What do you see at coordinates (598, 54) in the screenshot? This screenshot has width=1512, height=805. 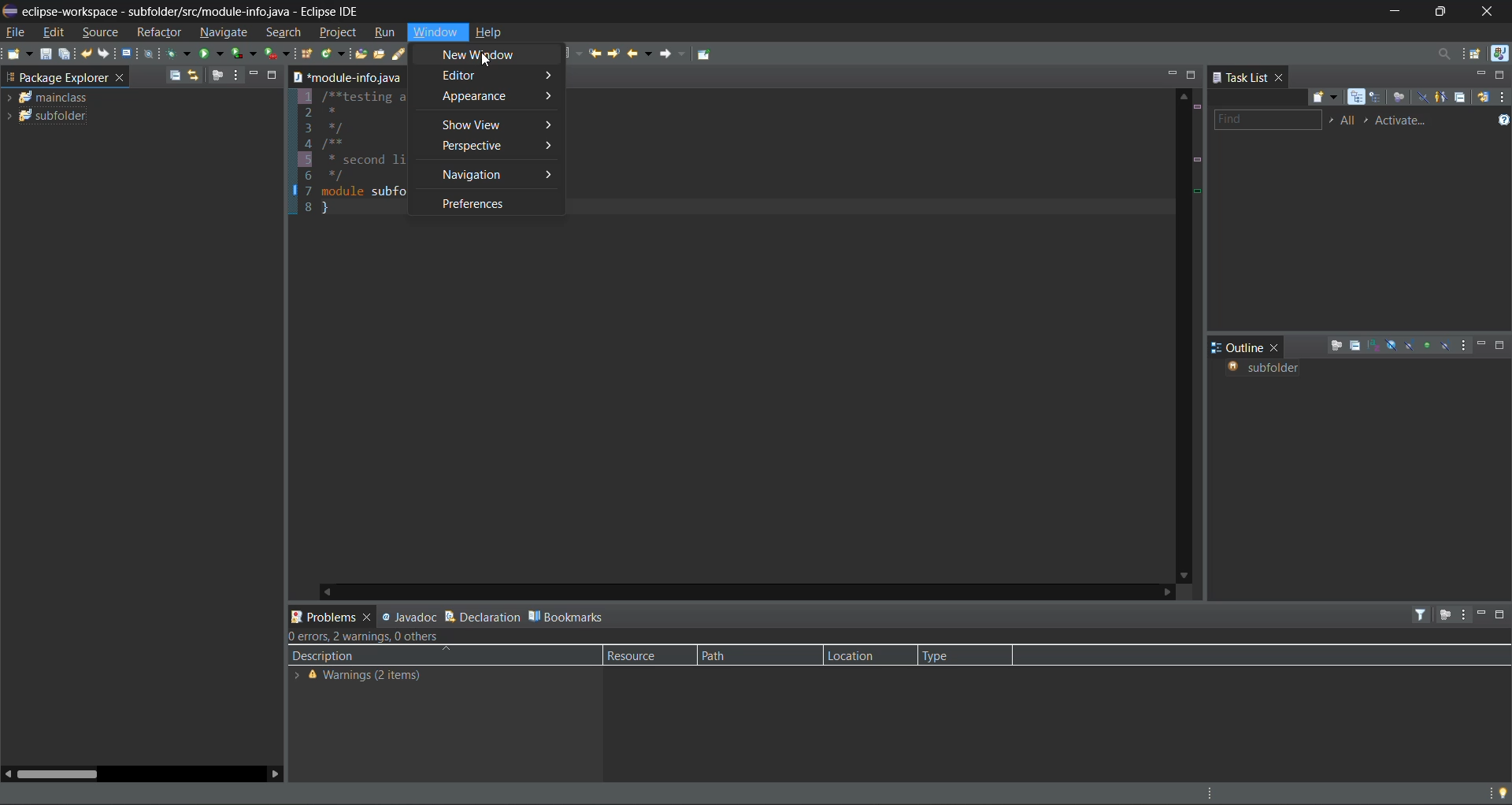 I see `previous edit location` at bounding box center [598, 54].